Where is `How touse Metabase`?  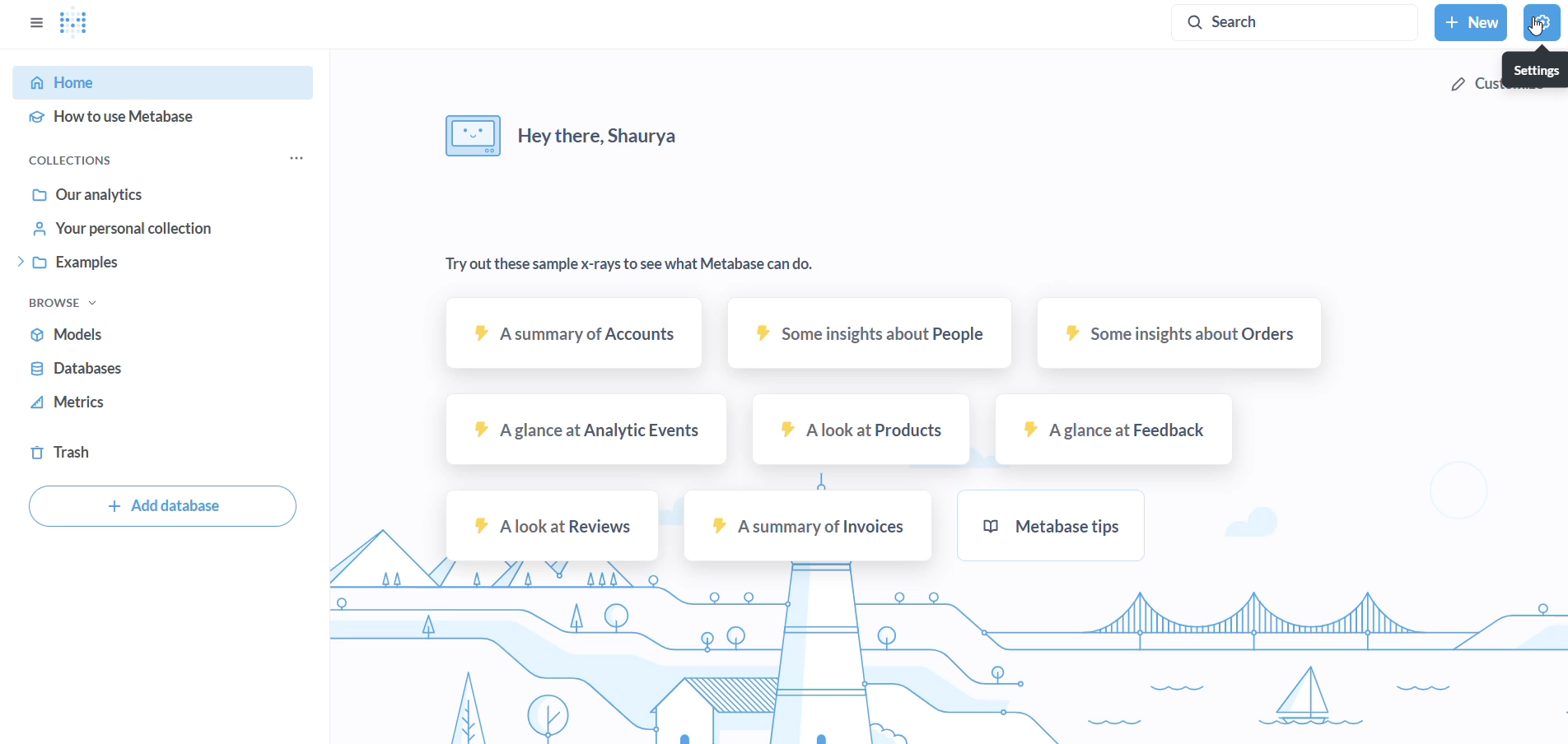
How touse Metabase is located at coordinates (111, 120).